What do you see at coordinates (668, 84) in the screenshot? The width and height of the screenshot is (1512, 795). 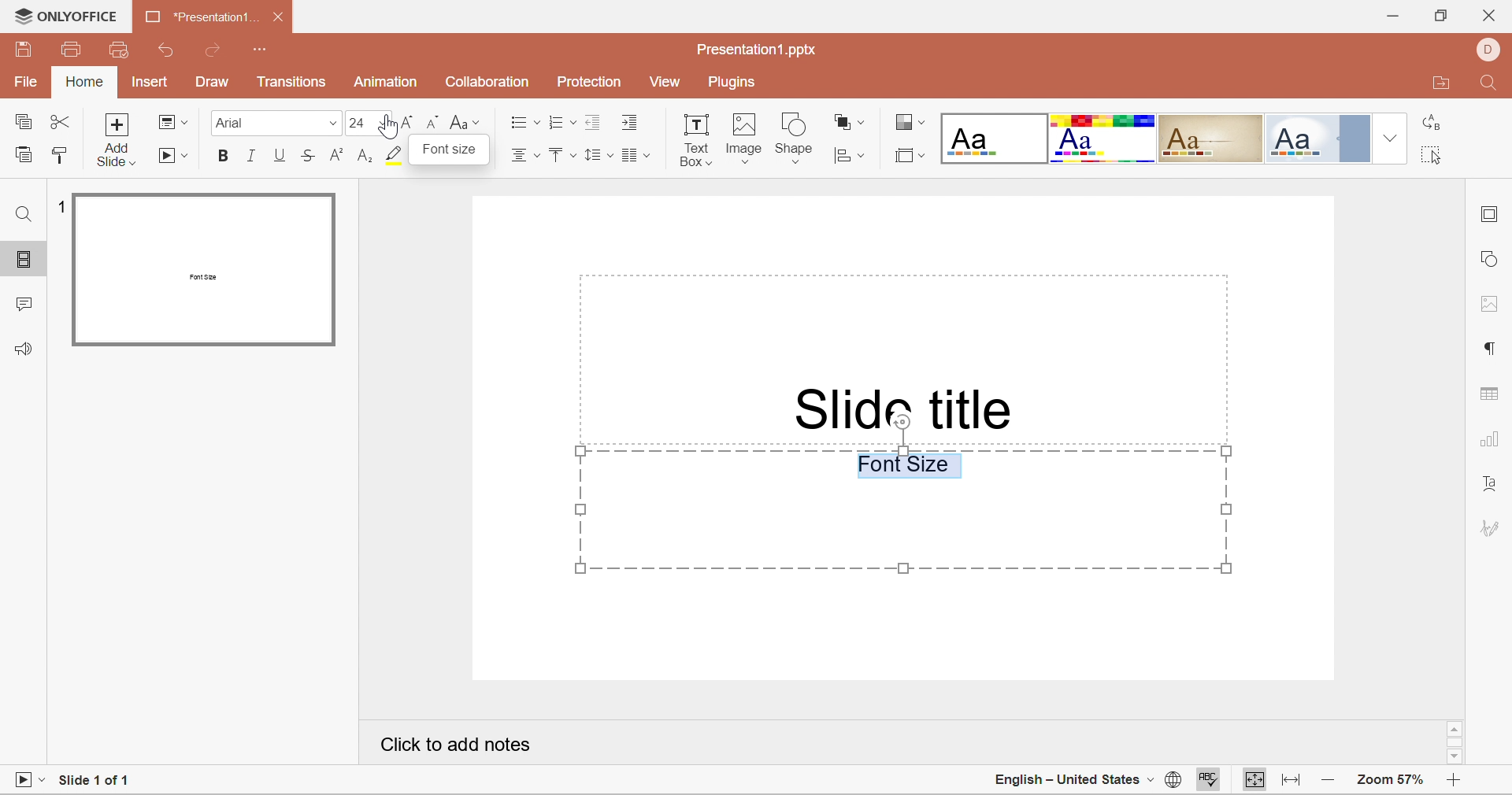 I see `View` at bounding box center [668, 84].